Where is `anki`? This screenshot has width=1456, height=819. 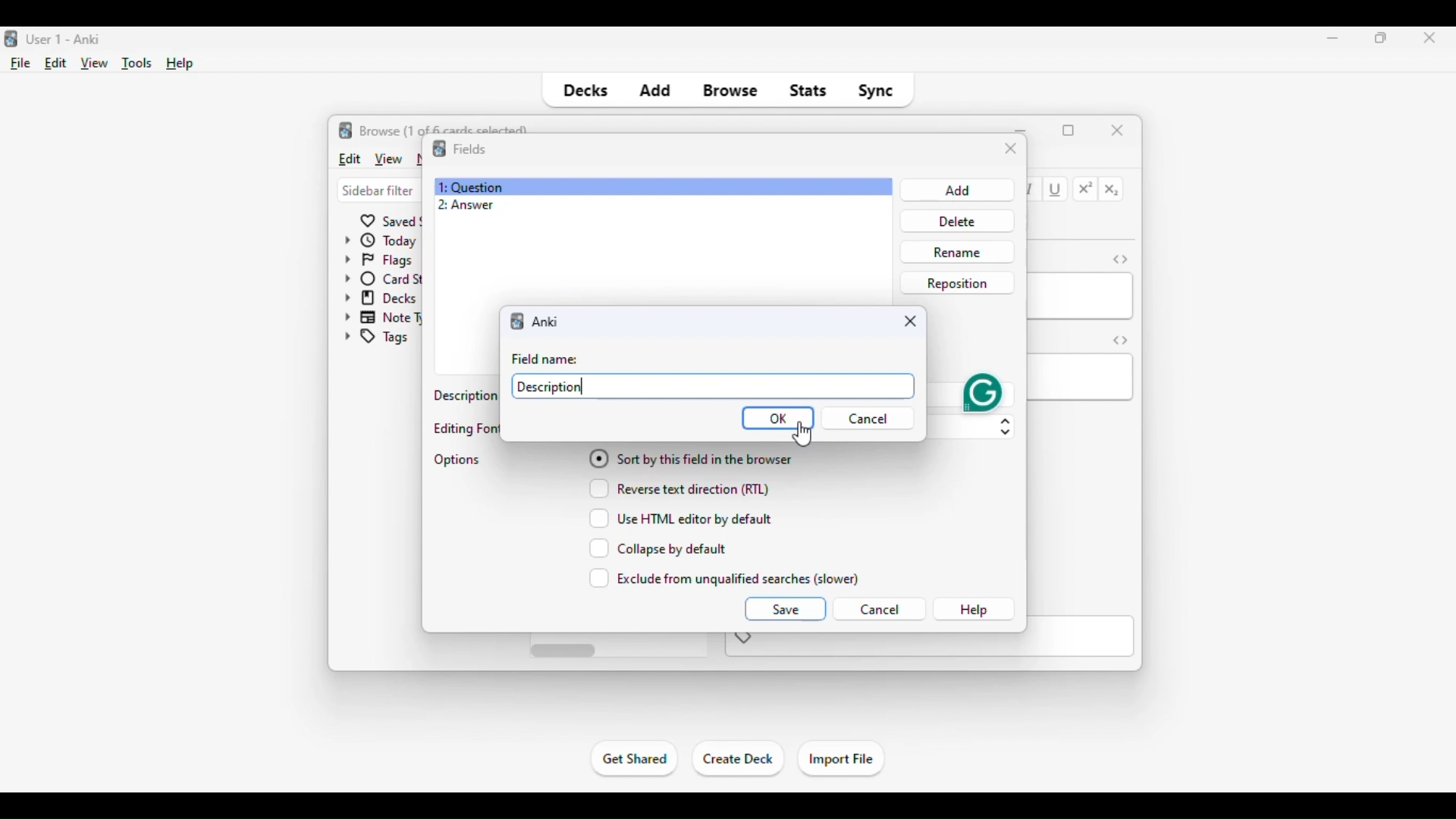
anki is located at coordinates (548, 322).